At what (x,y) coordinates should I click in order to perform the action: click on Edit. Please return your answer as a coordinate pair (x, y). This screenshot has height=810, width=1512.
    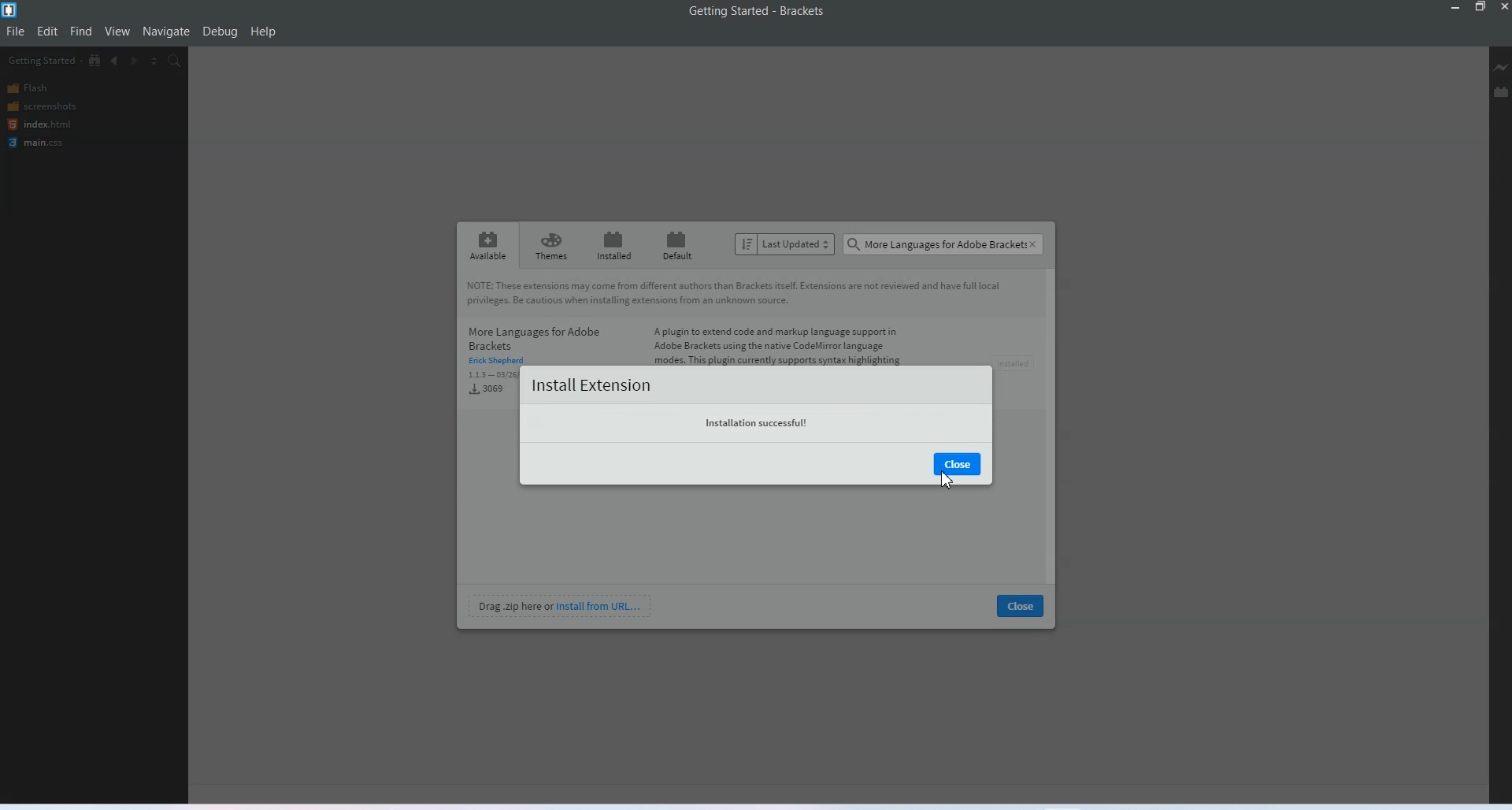
    Looking at the image, I should click on (49, 32).